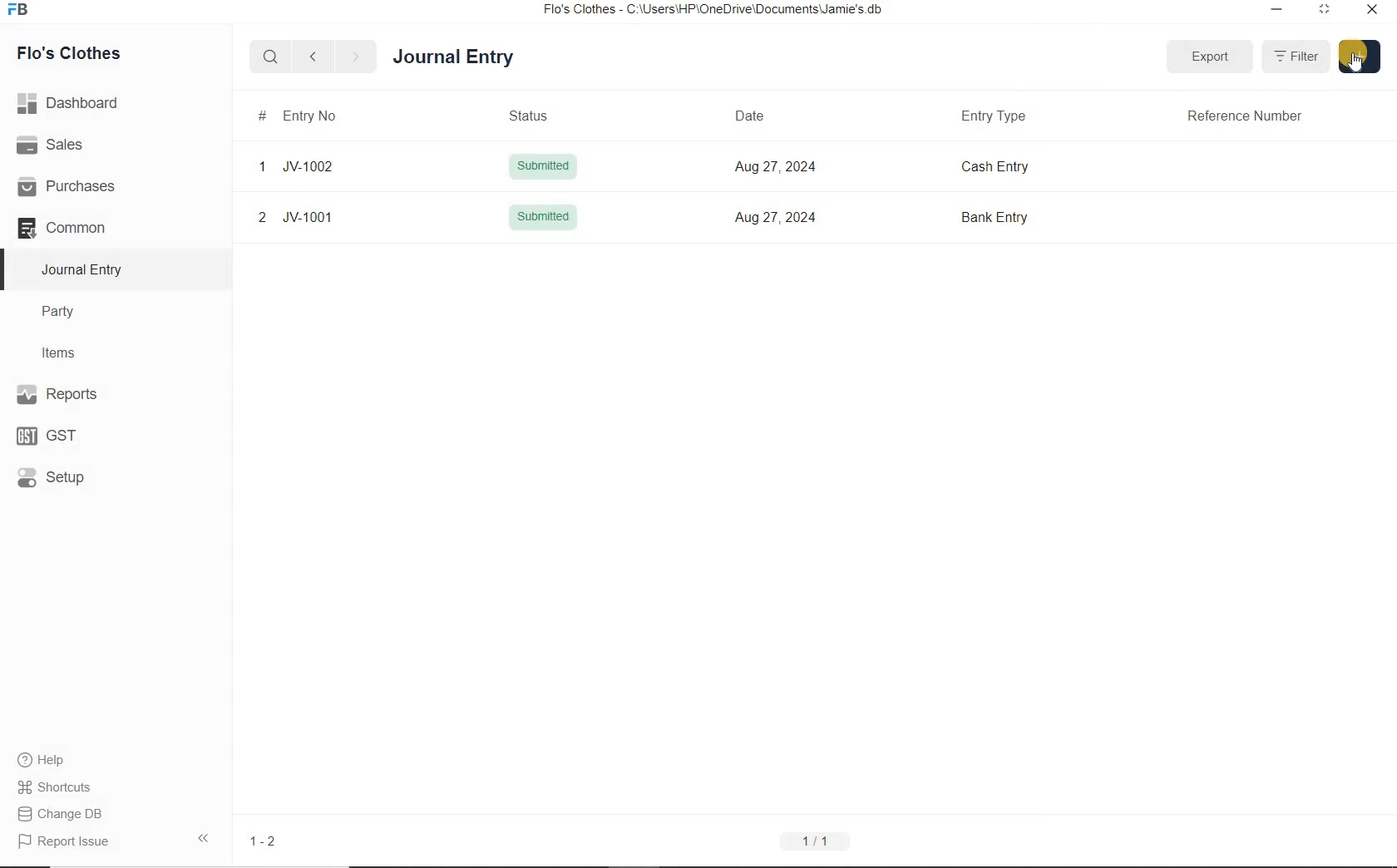 Image resolution: width=1397 pixels, height=868 pixels. Describe the element at coordinates (756, 114) in the screenshot. I see `Date` at that location.